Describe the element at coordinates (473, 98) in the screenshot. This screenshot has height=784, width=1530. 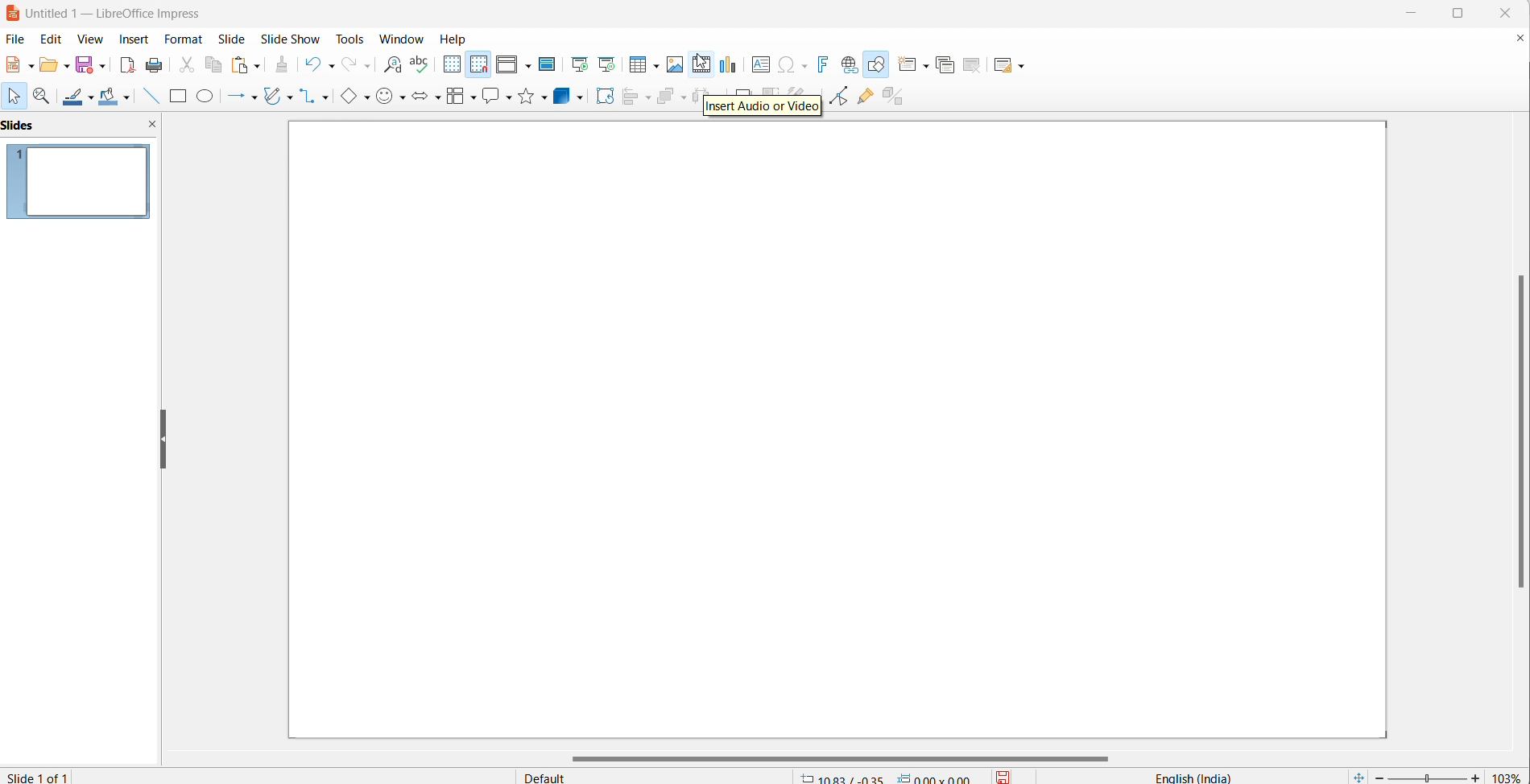
I see `flowchart options` at that location.